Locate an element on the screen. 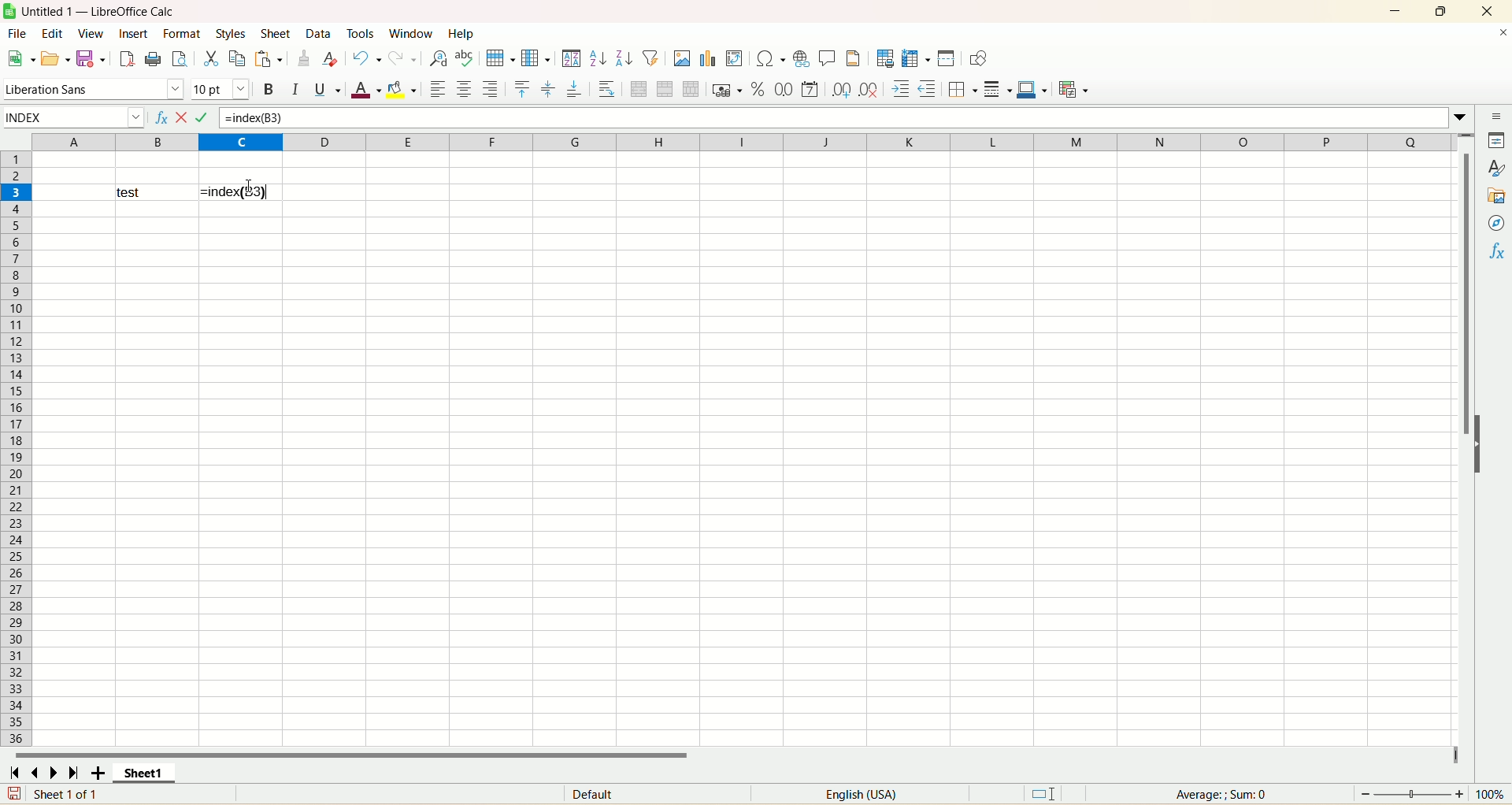 This screenshot has width=1512, height=805. row number highlighted is located at coordinates (16, 193).